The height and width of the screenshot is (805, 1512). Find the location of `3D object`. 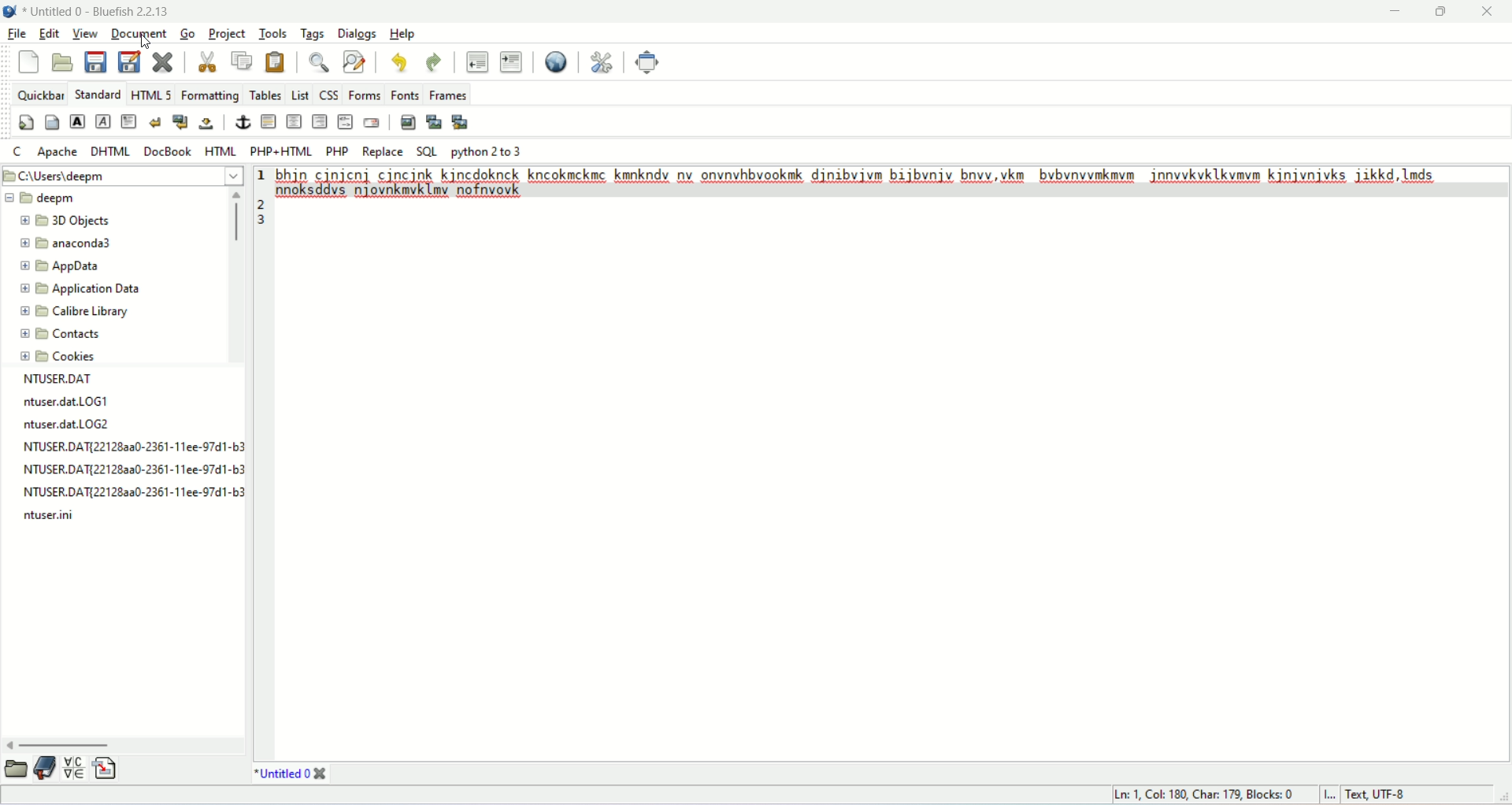

3D object is located at coordinates (72, 221).